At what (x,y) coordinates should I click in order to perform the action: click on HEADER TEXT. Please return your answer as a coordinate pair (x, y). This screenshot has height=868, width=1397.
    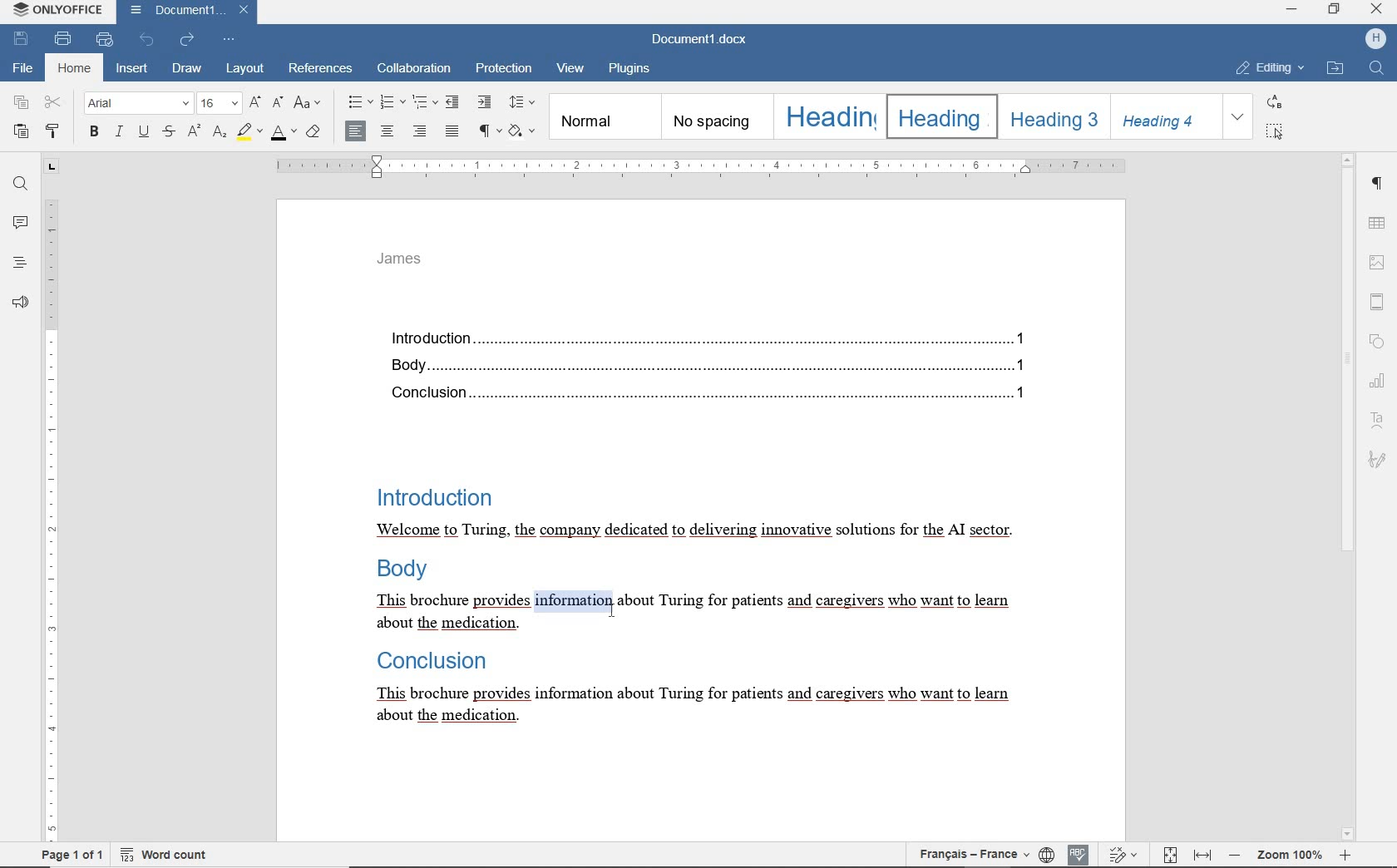
    Looking at the image, I should click on (403, 264).